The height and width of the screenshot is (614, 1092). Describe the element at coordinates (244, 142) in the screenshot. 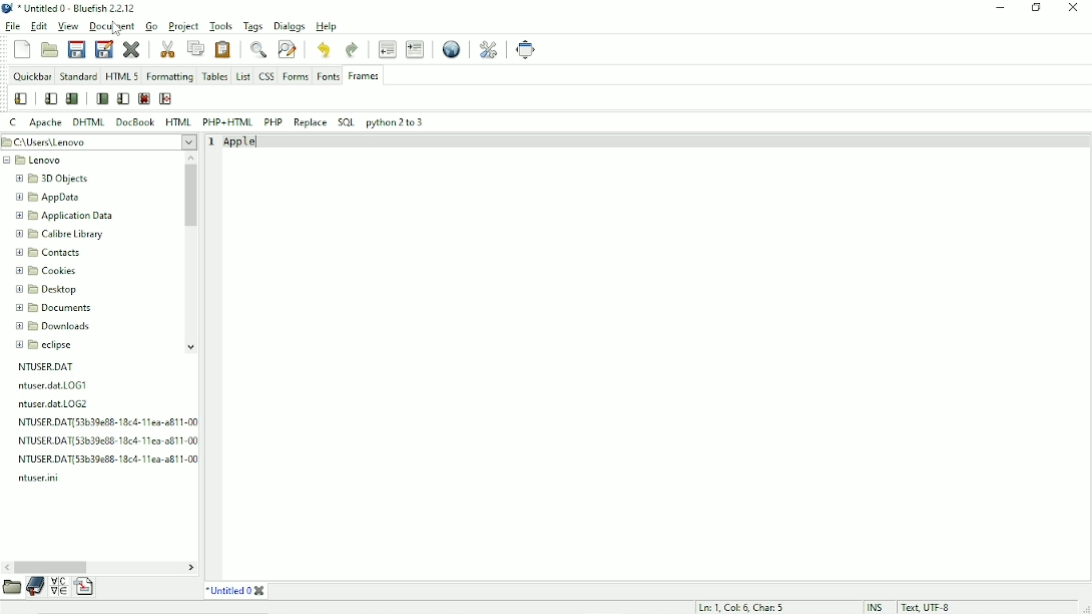

I see `Apple` at that location.